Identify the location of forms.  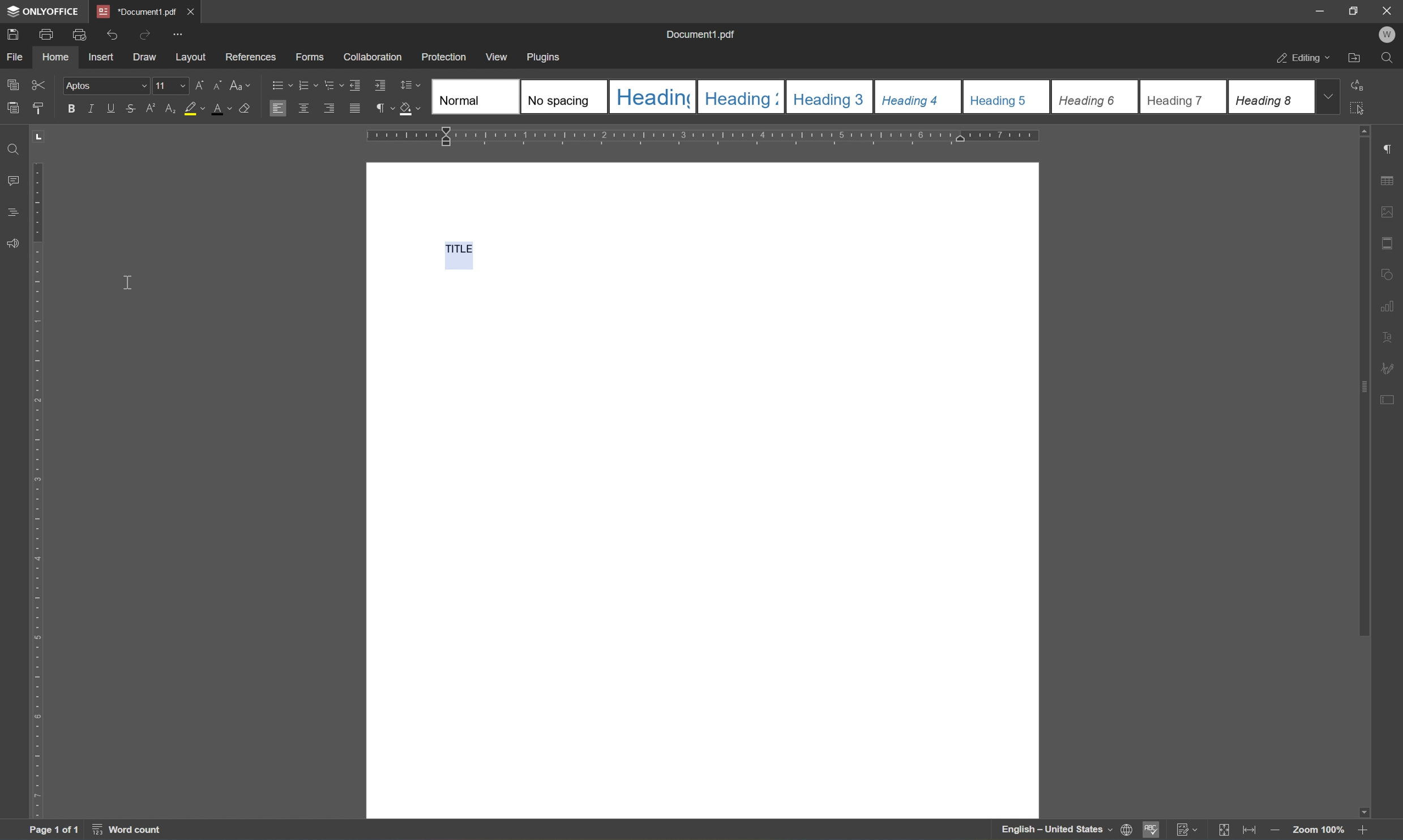
(311, 57).